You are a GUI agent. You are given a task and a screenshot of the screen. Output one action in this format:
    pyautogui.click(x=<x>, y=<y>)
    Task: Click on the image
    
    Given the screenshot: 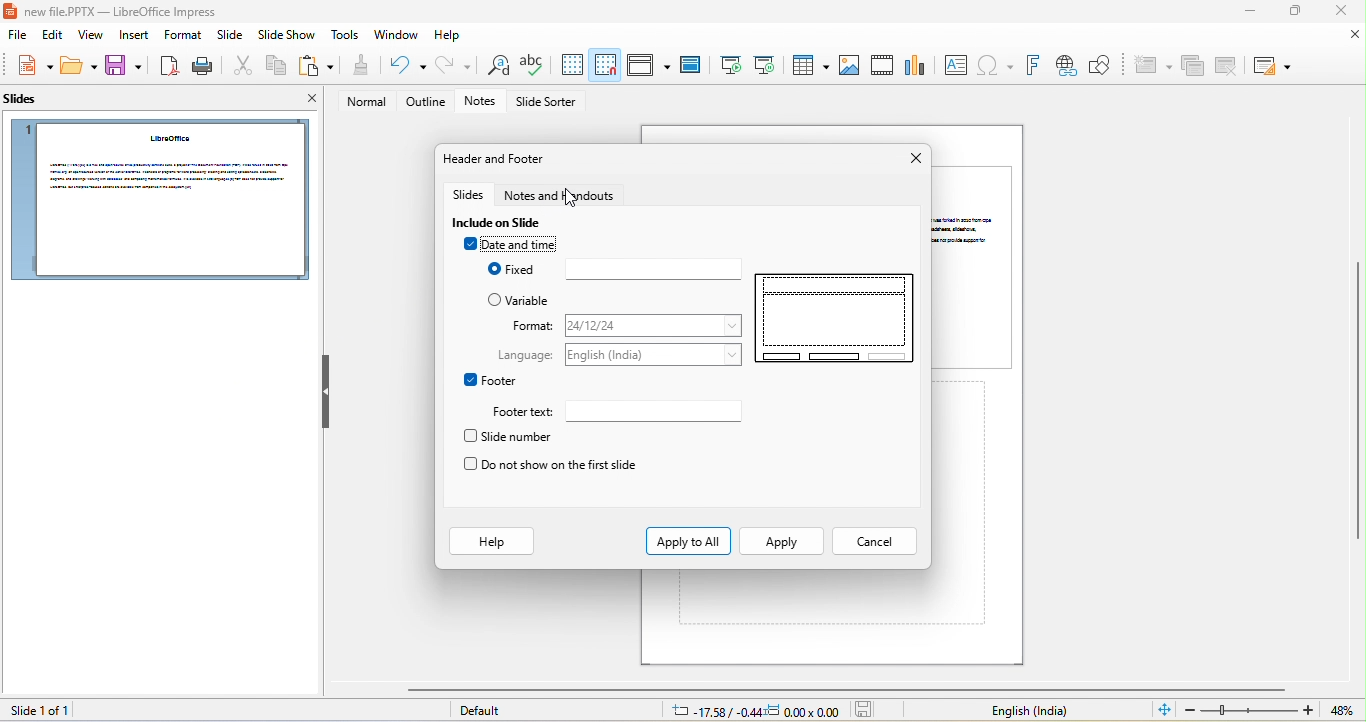 What is the action you would take?
    pyautogui.click(x=849, y=66)
    